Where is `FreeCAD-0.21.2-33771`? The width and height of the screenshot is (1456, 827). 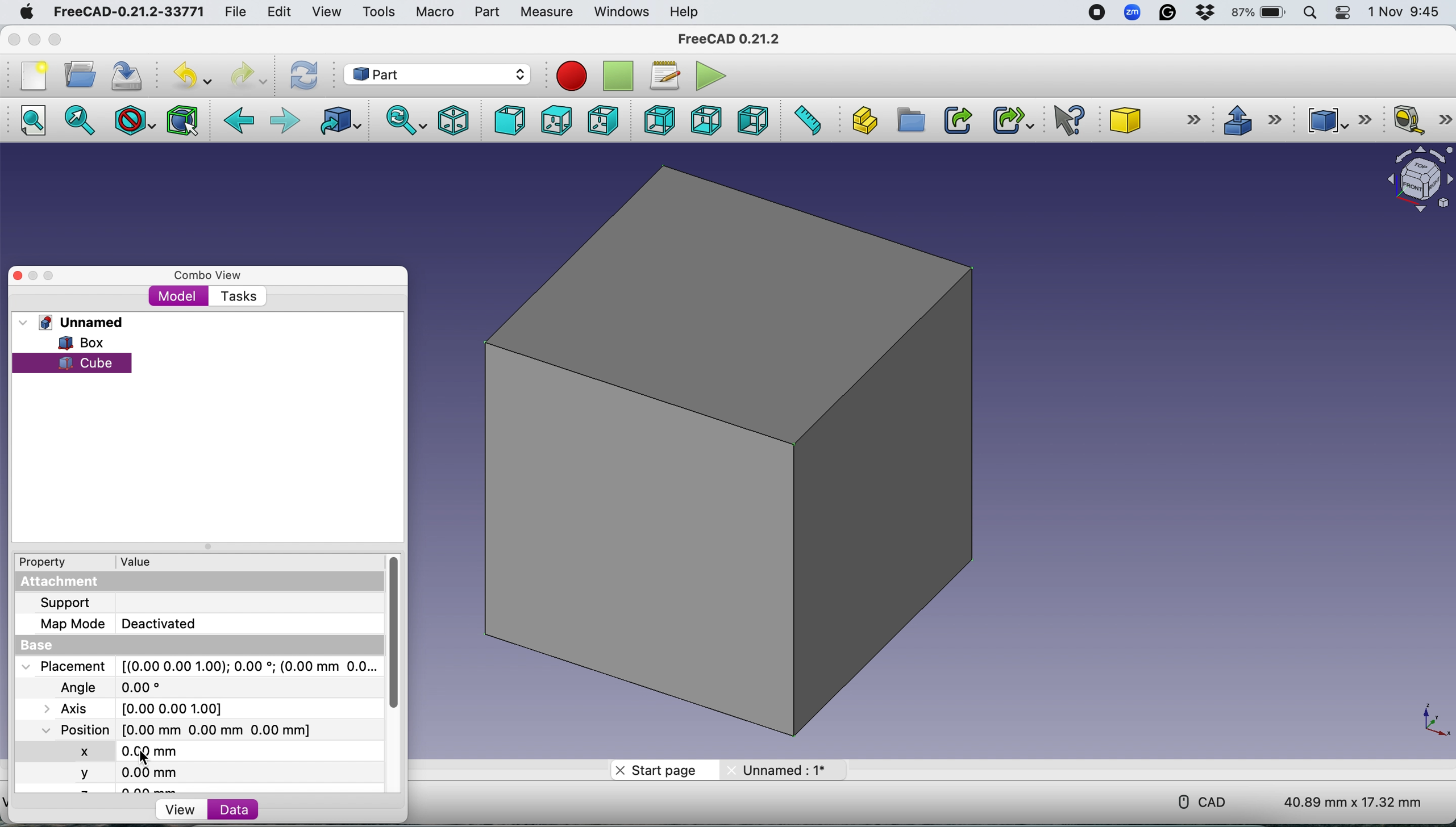
FreeCAD-0.21.2-33771 is located at coordinates (128, 12).